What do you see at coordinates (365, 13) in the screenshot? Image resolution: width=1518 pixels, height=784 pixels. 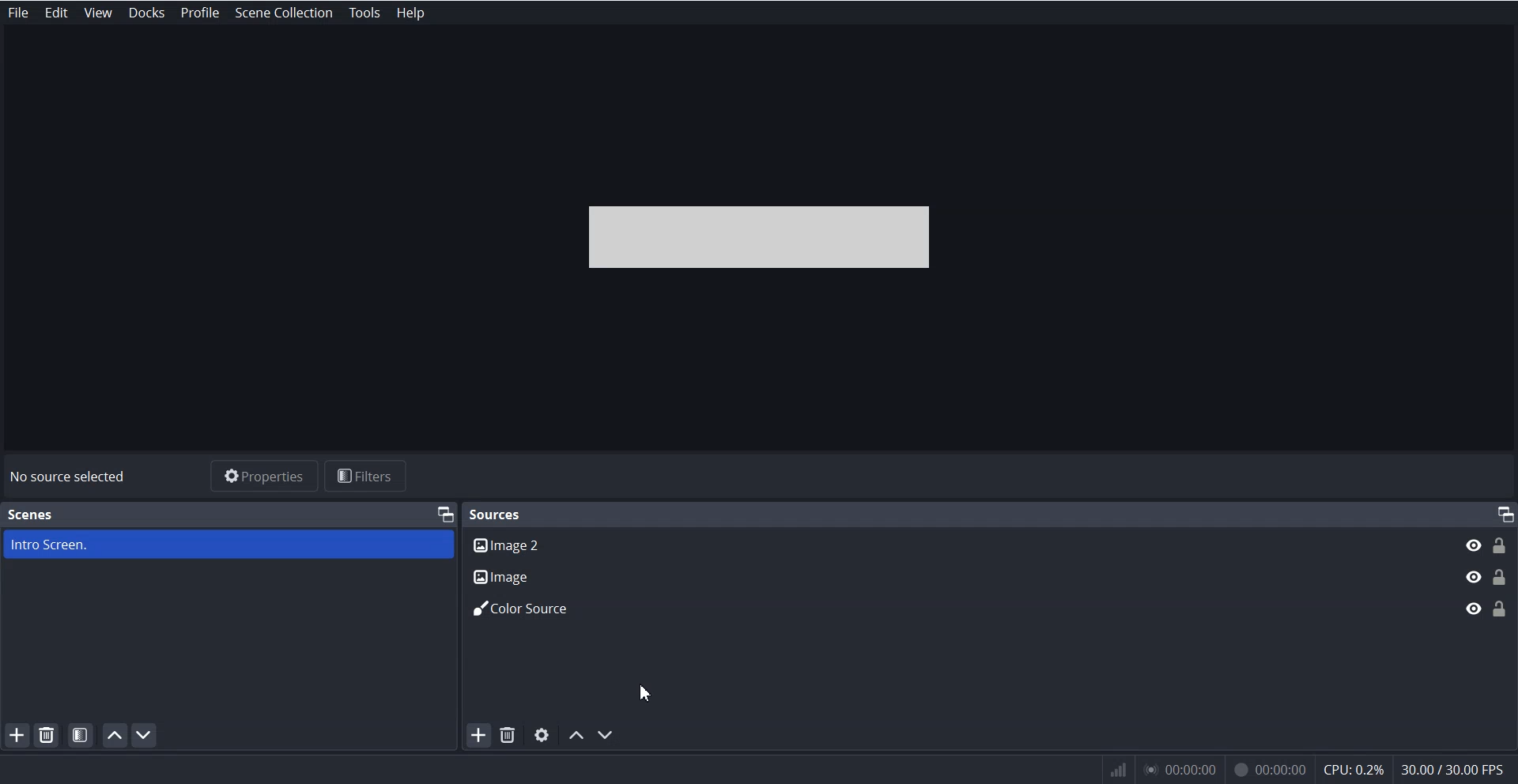 I see `Tools` at bounding box center [365, 13].